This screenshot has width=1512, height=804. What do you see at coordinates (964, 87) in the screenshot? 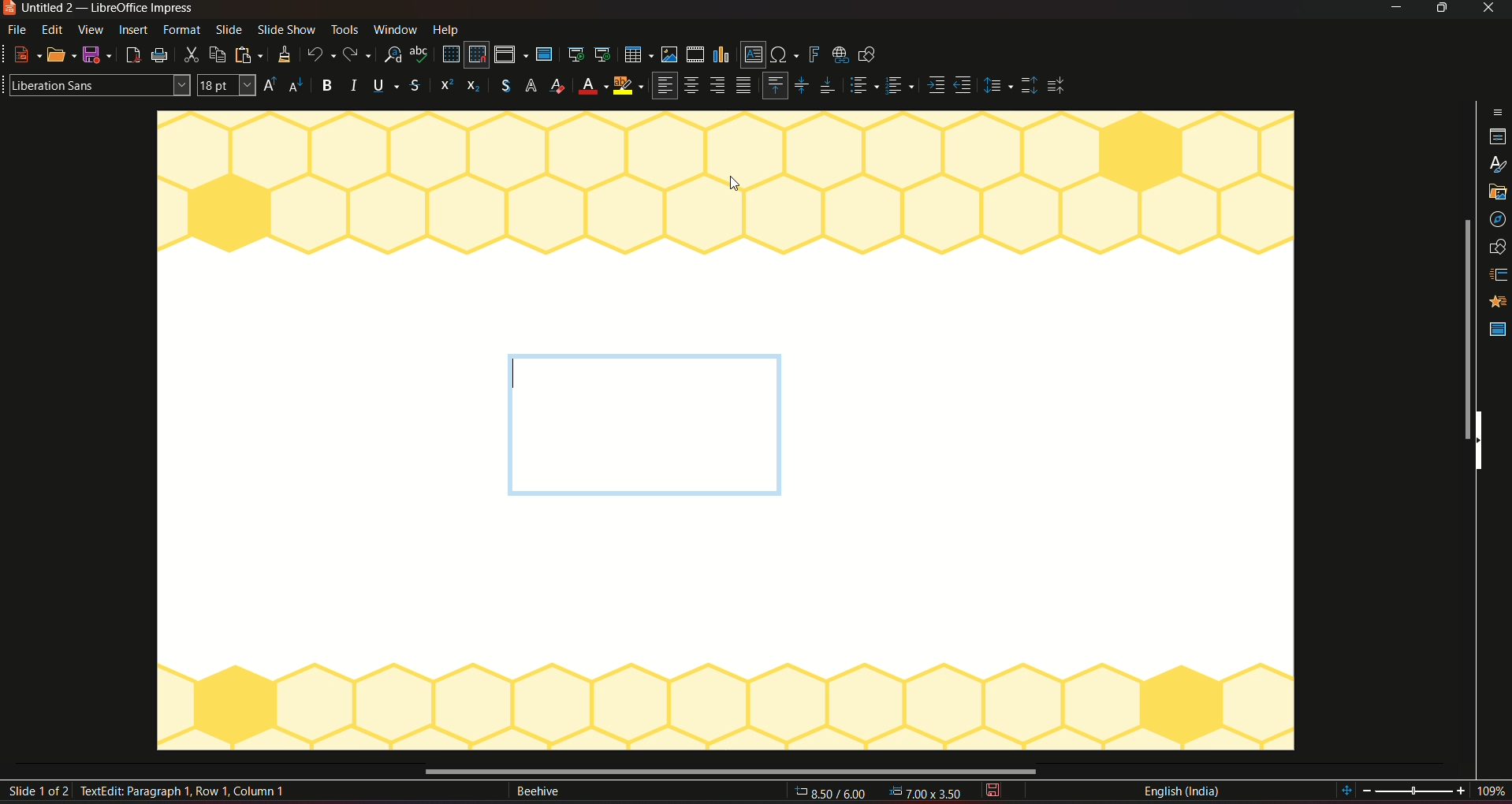
I see `Align side 2` at bounding box center [964, 87].